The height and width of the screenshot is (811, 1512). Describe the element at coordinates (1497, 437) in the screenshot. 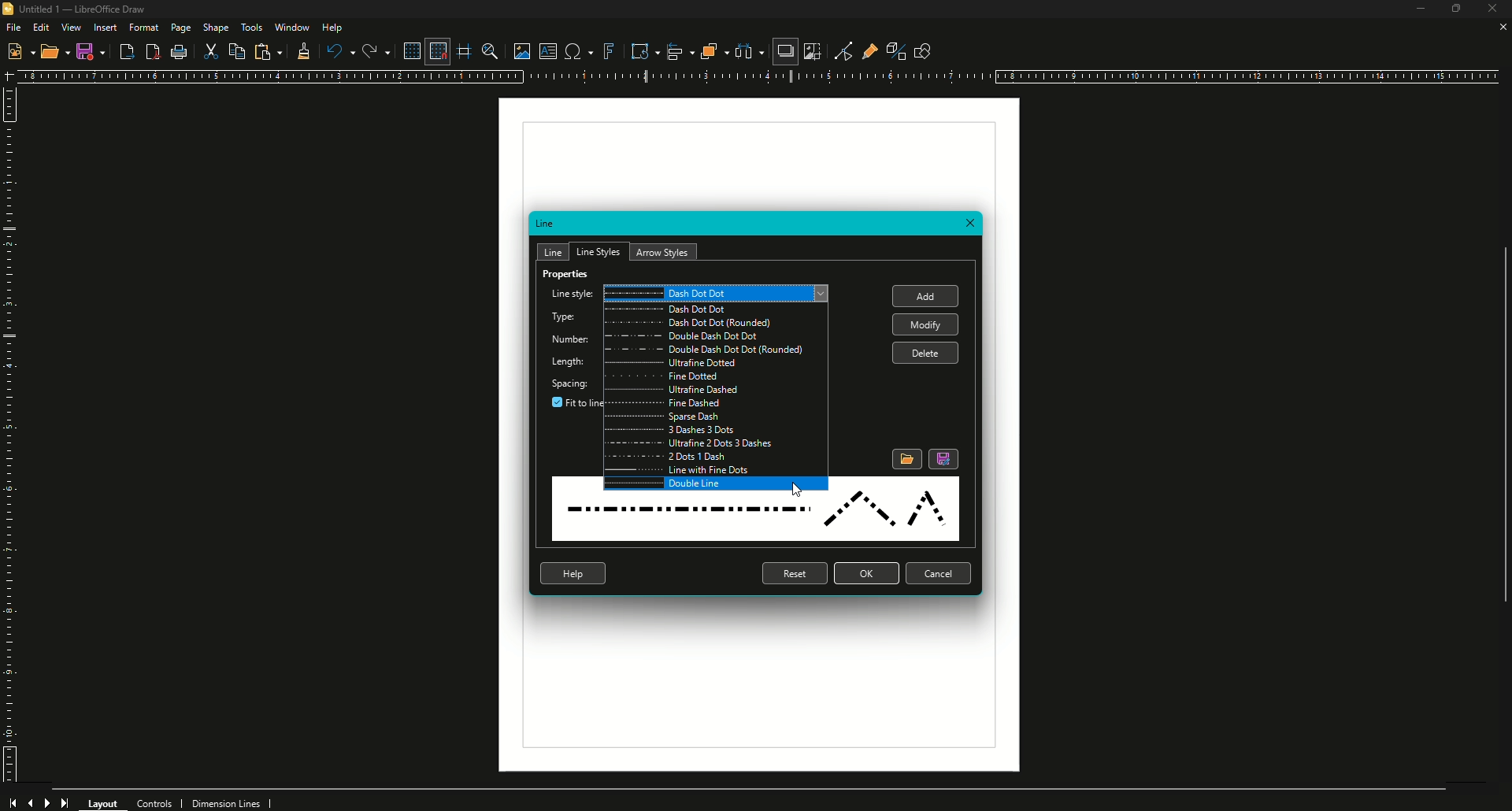

I see `scroll` at that location.